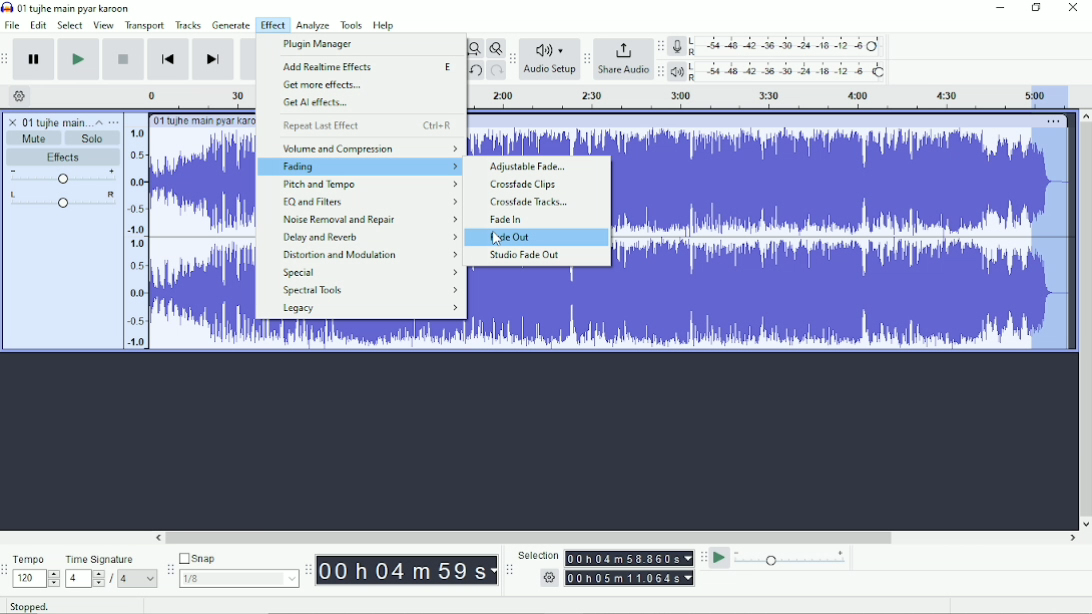  What do you see at coordinates (368, 149) in the screenshot?
I see `volume and Compression` at bounding box center [368, 149].